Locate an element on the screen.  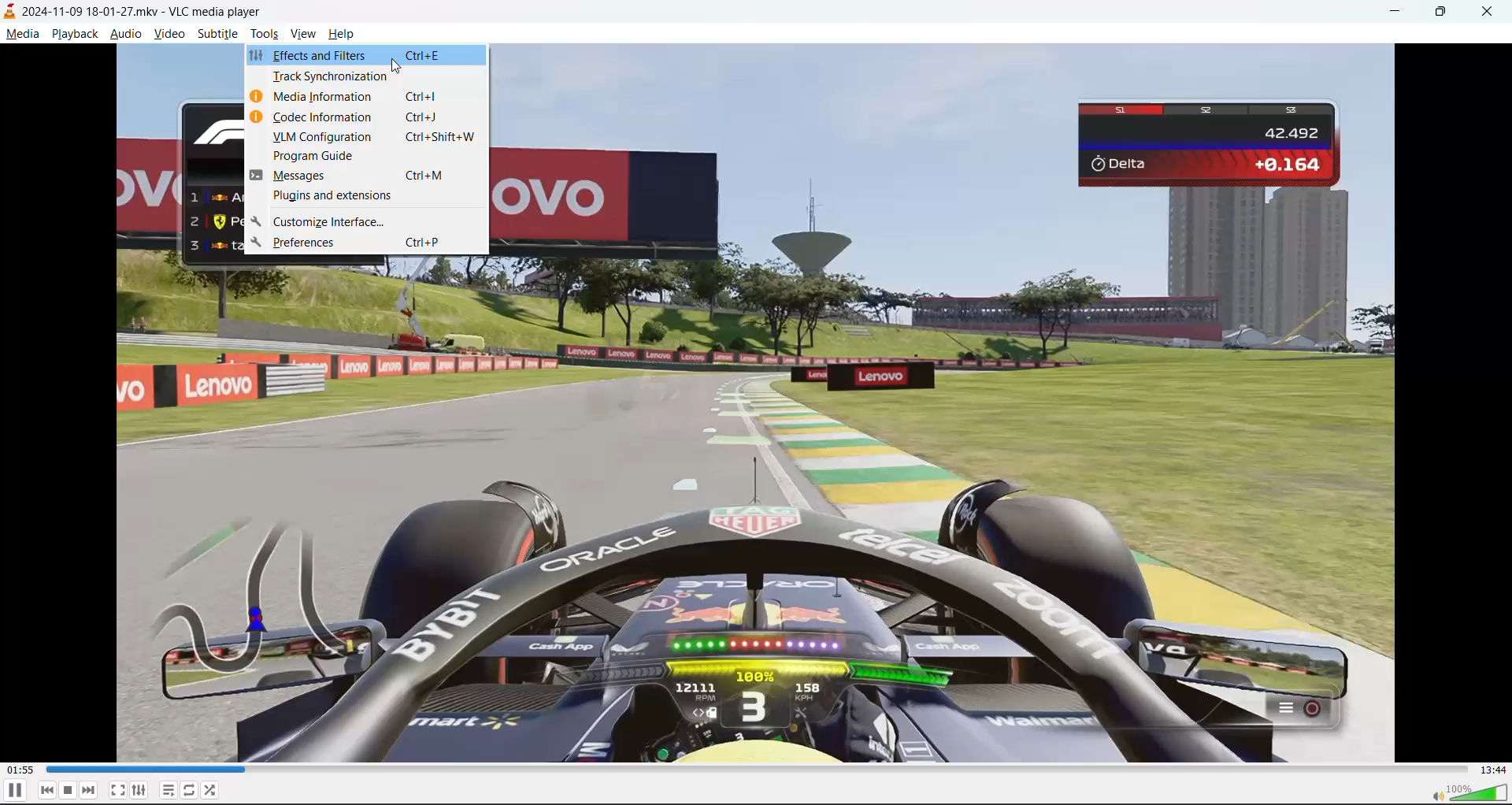
close is located at coordinates (1489, 12).